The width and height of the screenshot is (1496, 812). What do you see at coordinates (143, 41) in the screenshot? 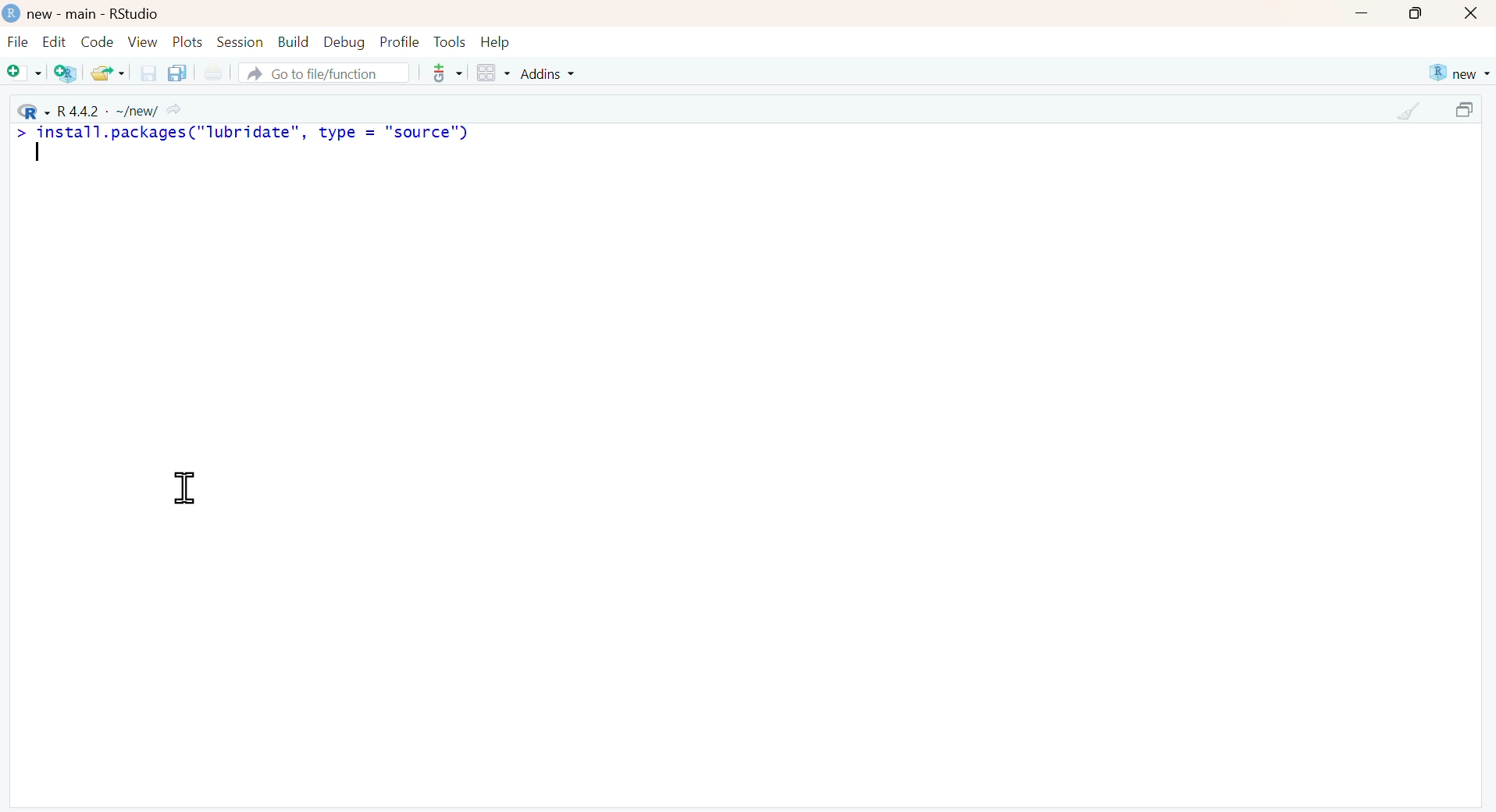
I see `View` at bounding box center [143, 41].